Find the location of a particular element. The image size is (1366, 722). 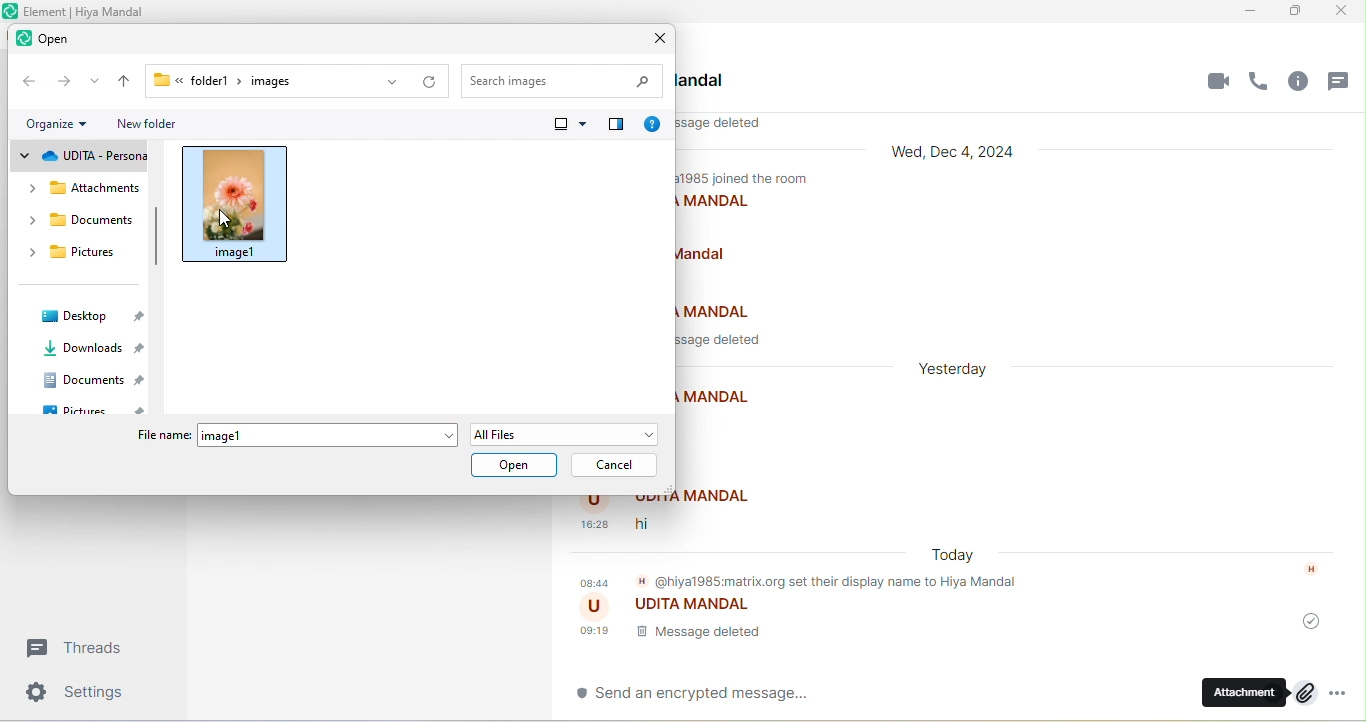

room info is located at coordinates (1306, 85).